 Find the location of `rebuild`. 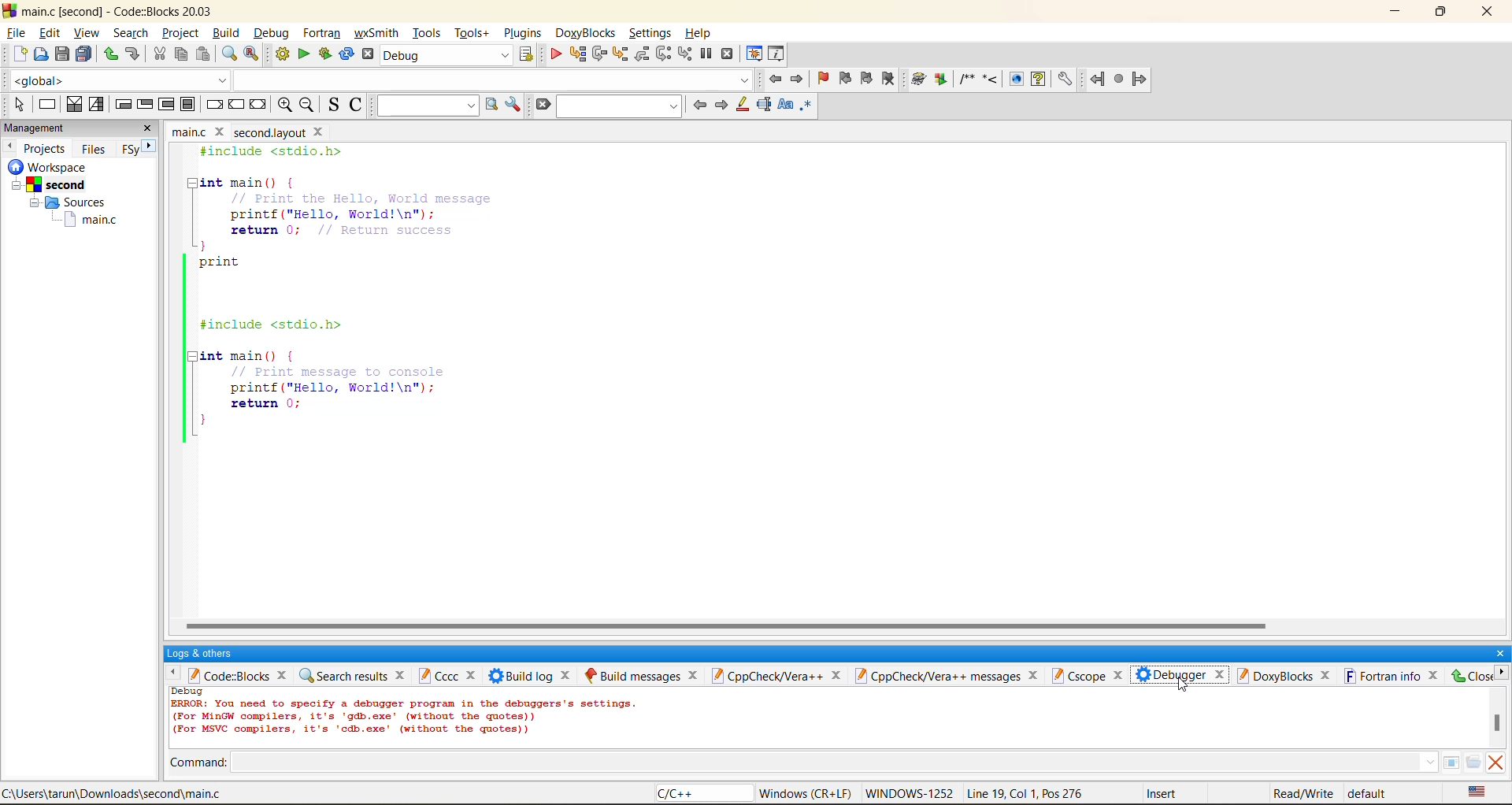

rebuild is located at coordinates (348, 52).